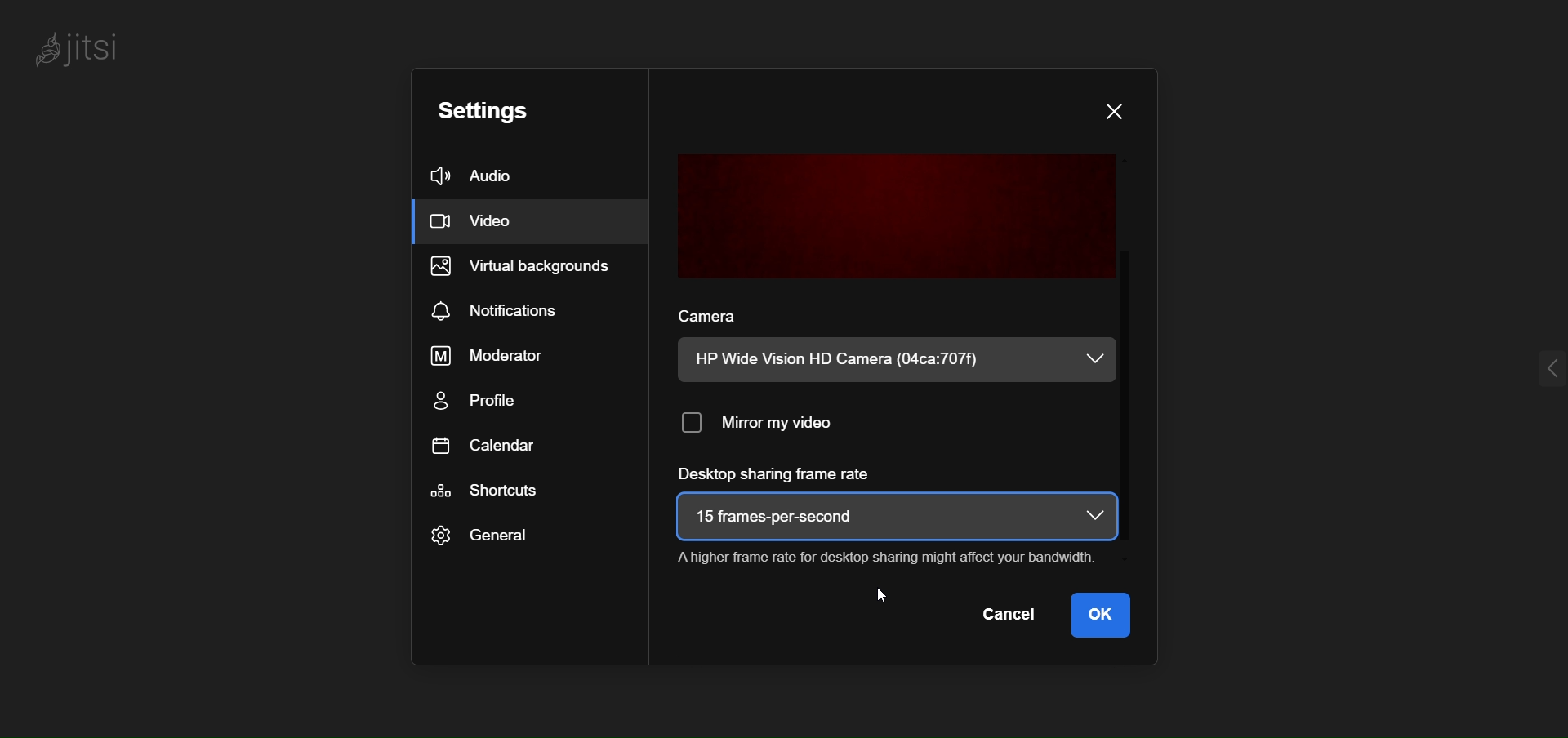 Image resolution: width=1568 pixels, height=738 pixels. What do you see at coordinates (88, 51) in the screenshot?
I see `jitsi` at bounding box center [88, 51].